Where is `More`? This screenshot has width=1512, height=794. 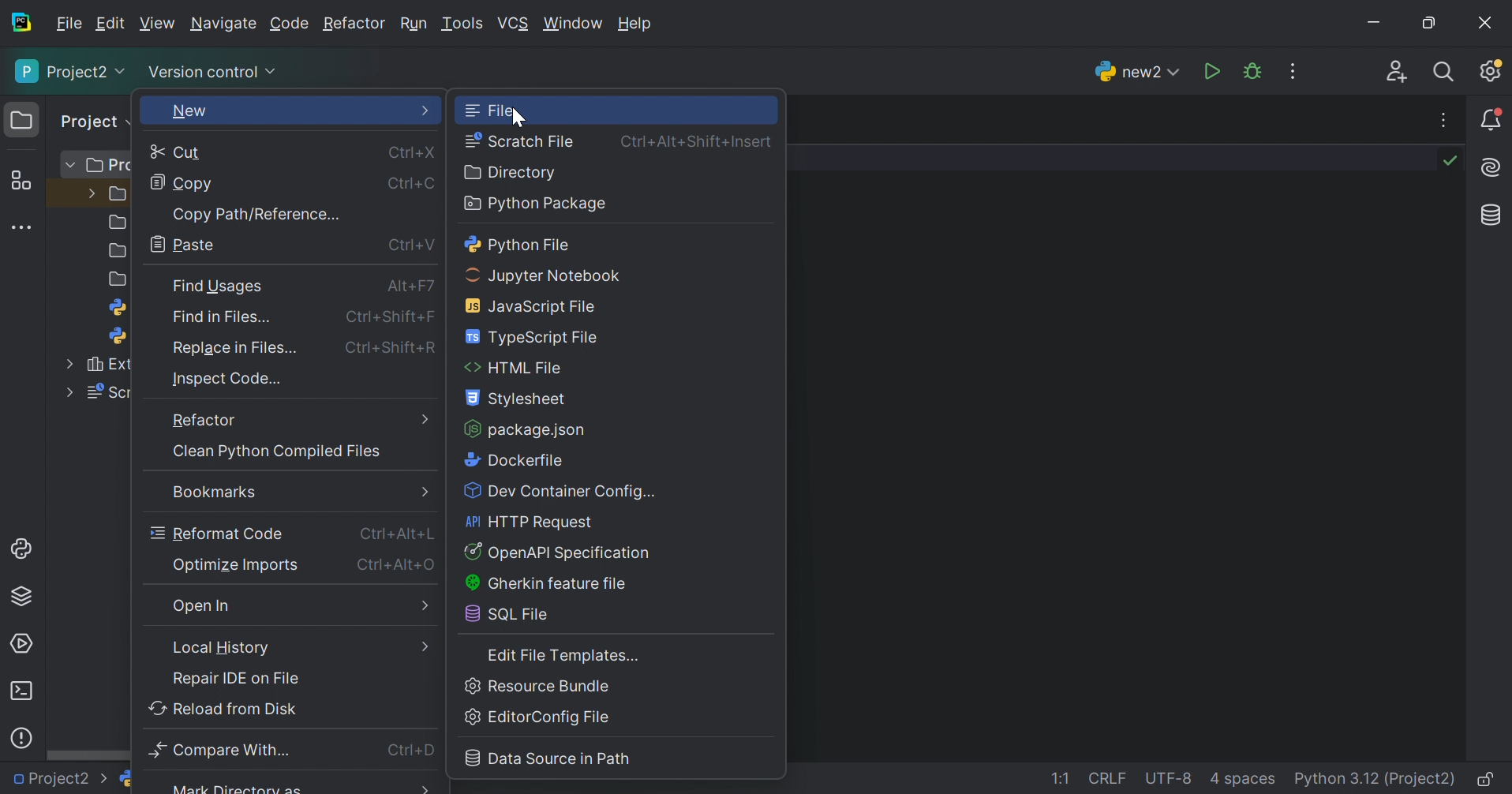
More is located at coordinates (427, 418).